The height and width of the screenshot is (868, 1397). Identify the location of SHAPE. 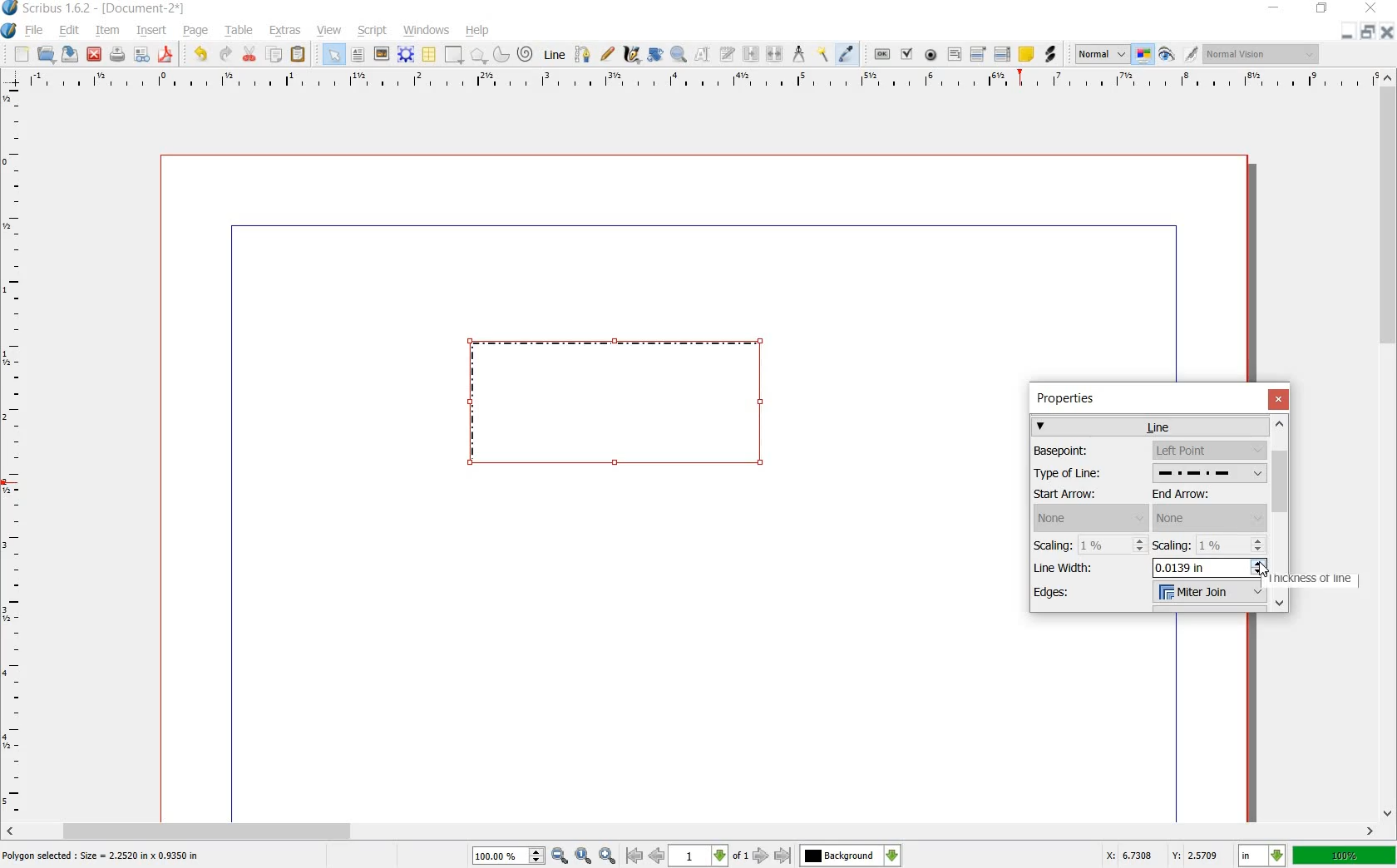
(453, 54).